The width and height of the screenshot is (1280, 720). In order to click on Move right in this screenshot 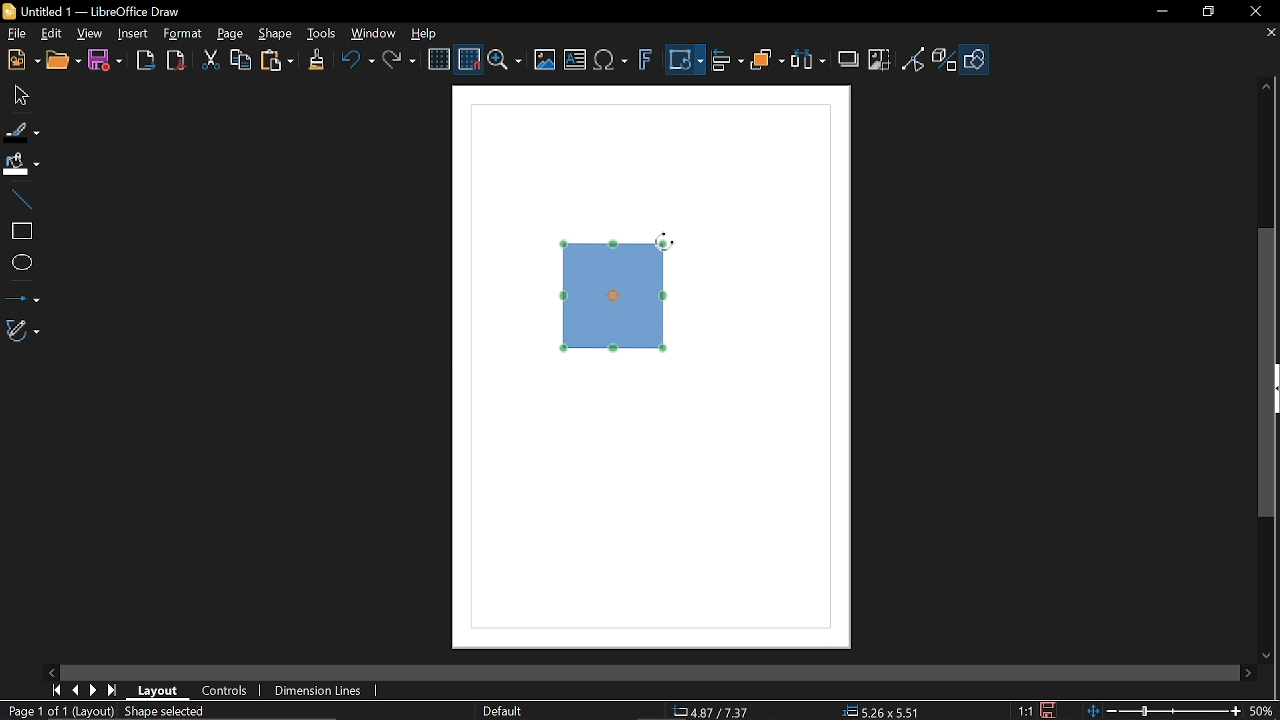, I will do `click(1245, 673)`.